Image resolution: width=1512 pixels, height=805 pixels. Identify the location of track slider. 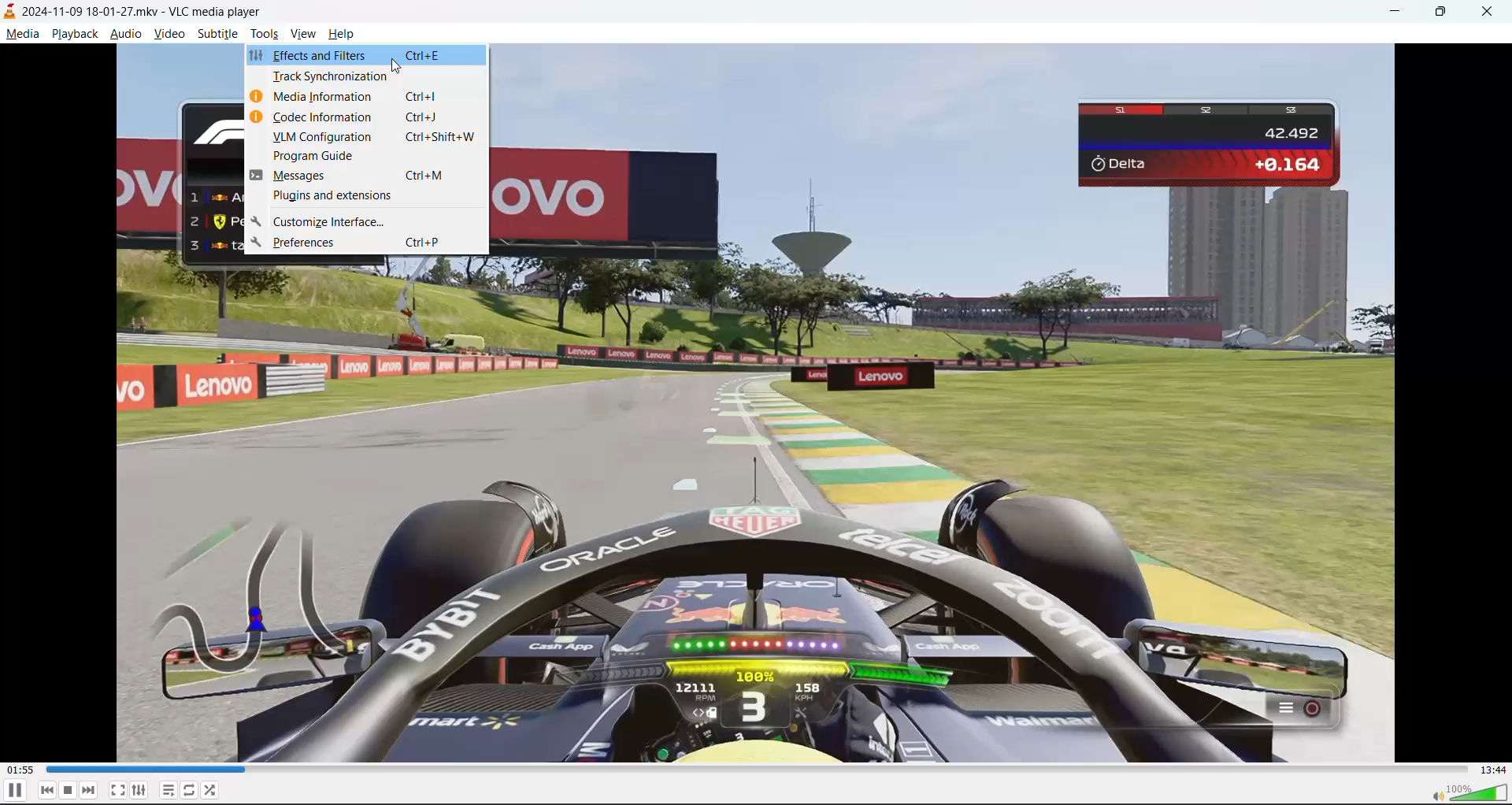
(754, 770).